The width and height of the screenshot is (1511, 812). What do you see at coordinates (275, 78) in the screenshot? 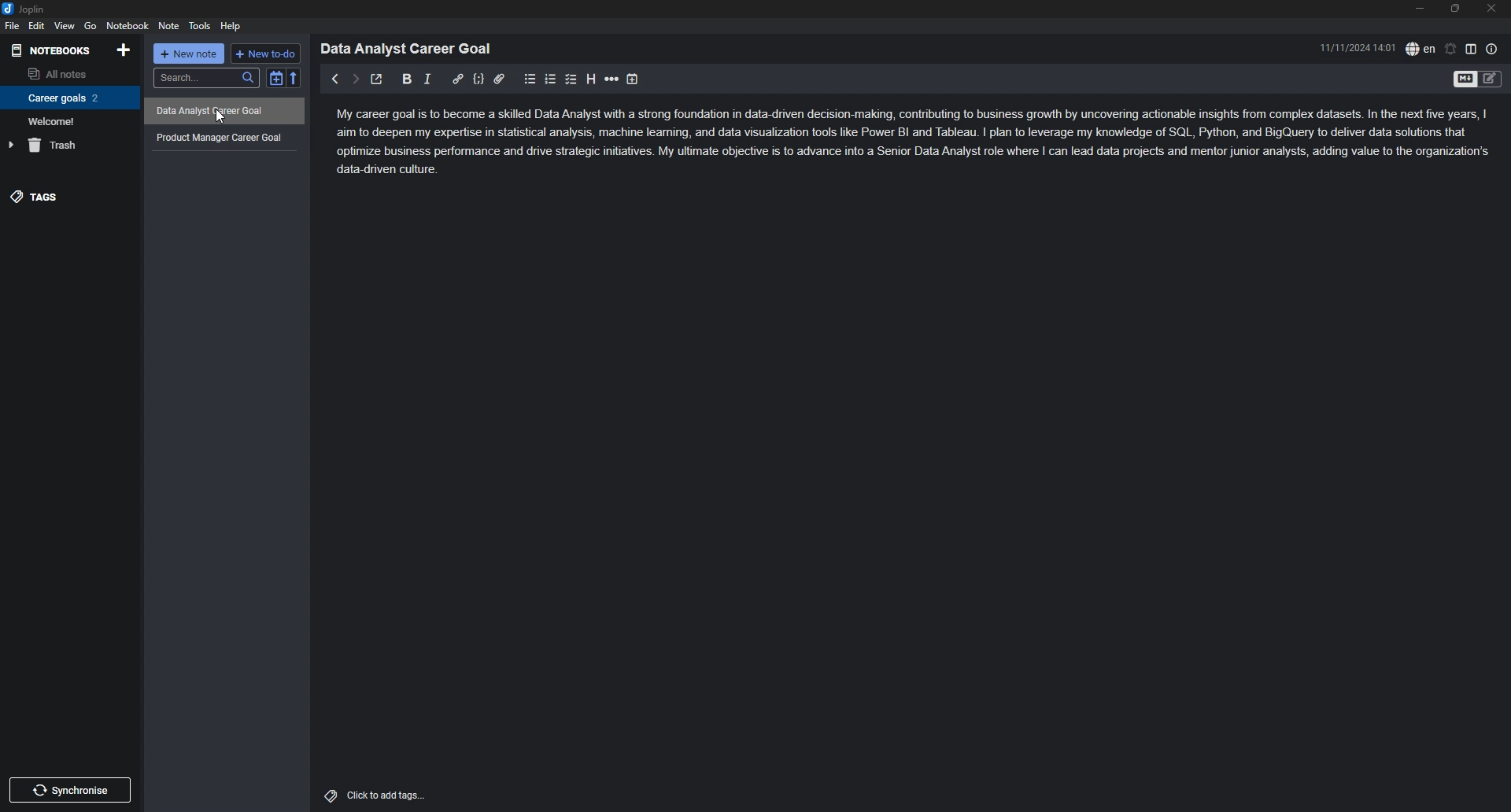
I see `toggle sort order` at bounding box center [275, 78].